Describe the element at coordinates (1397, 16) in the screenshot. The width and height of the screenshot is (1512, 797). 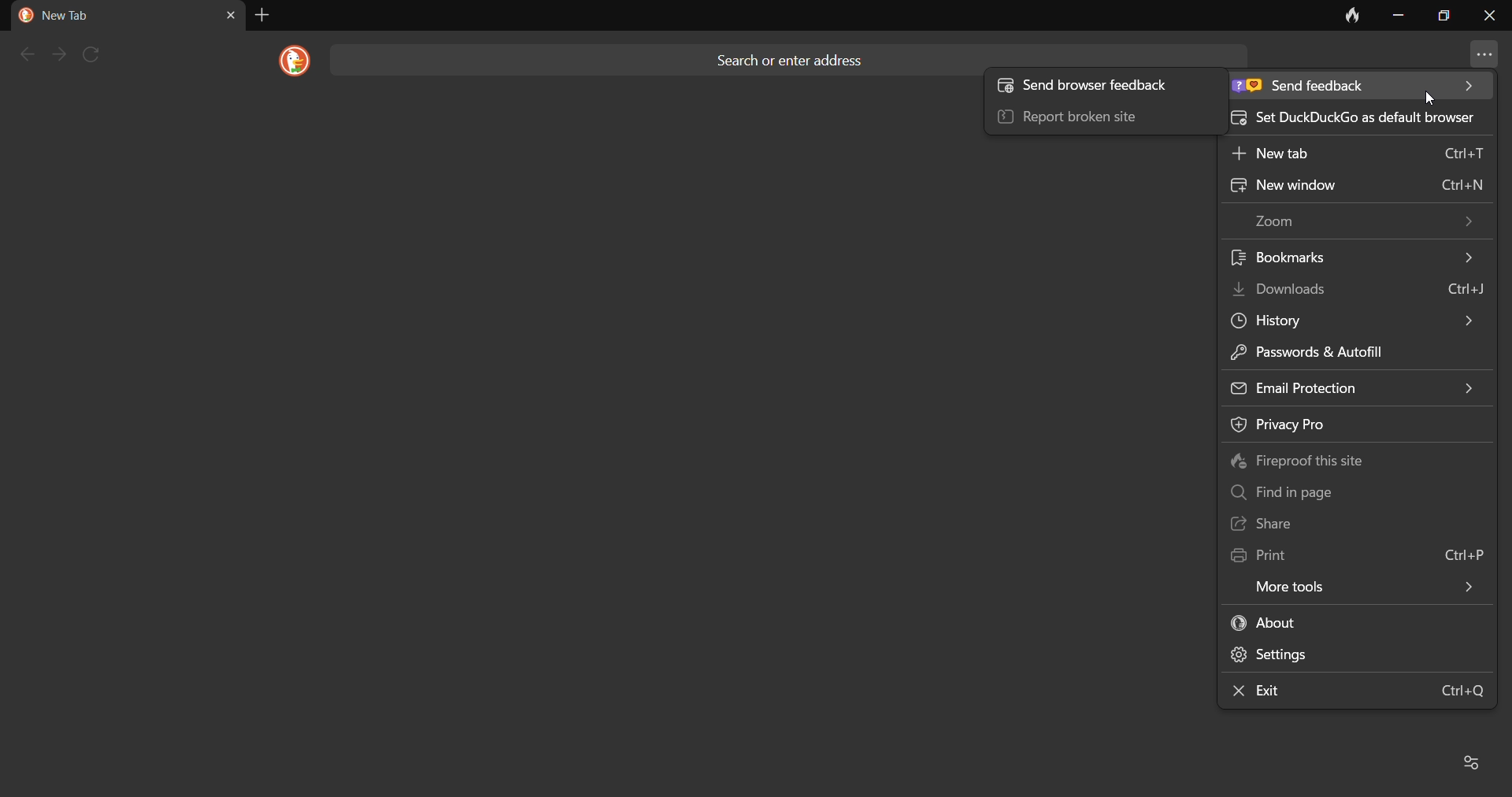
I see `minimize` at that location.